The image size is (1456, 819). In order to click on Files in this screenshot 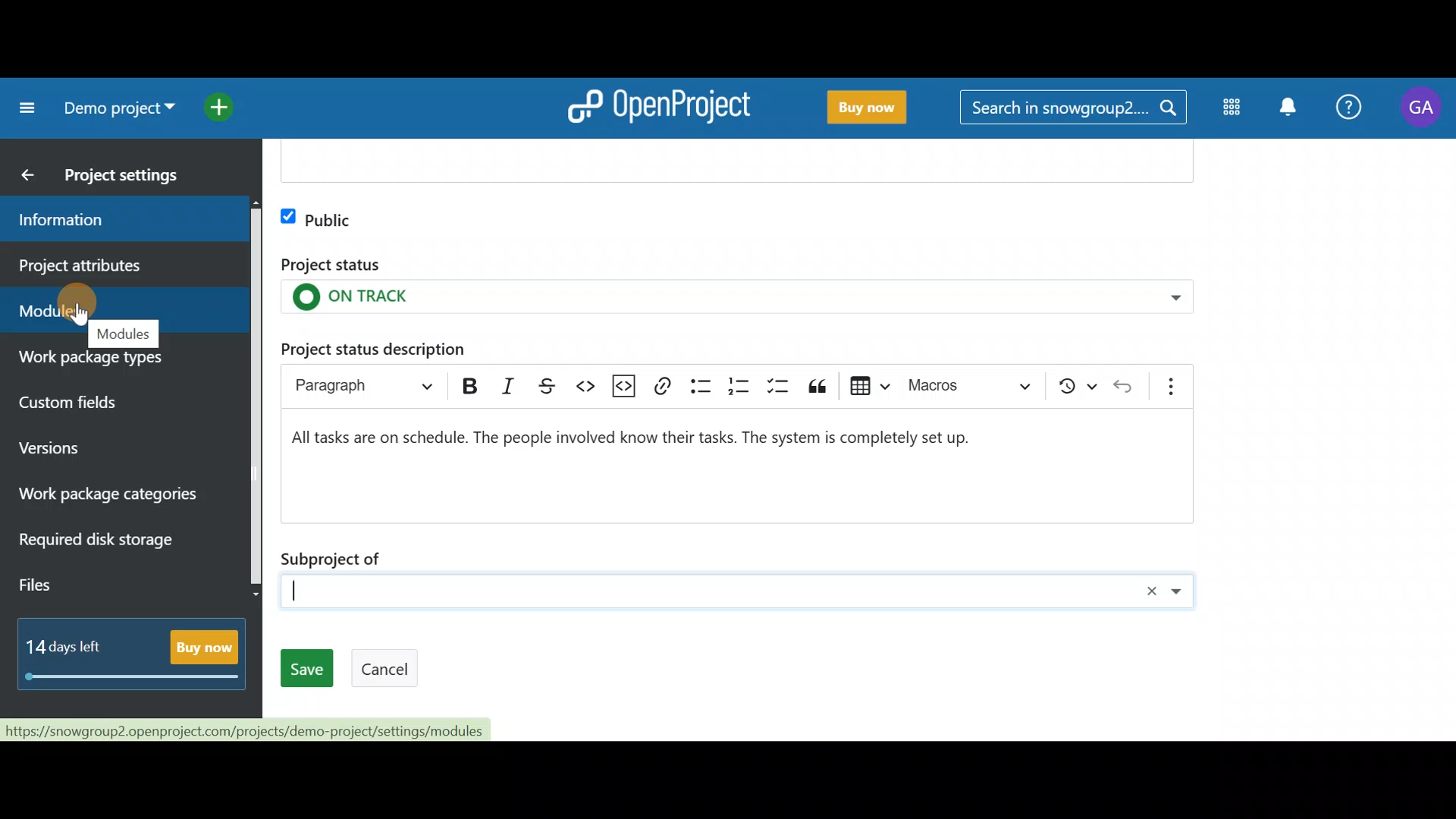, I will do `click(79, 588)`.